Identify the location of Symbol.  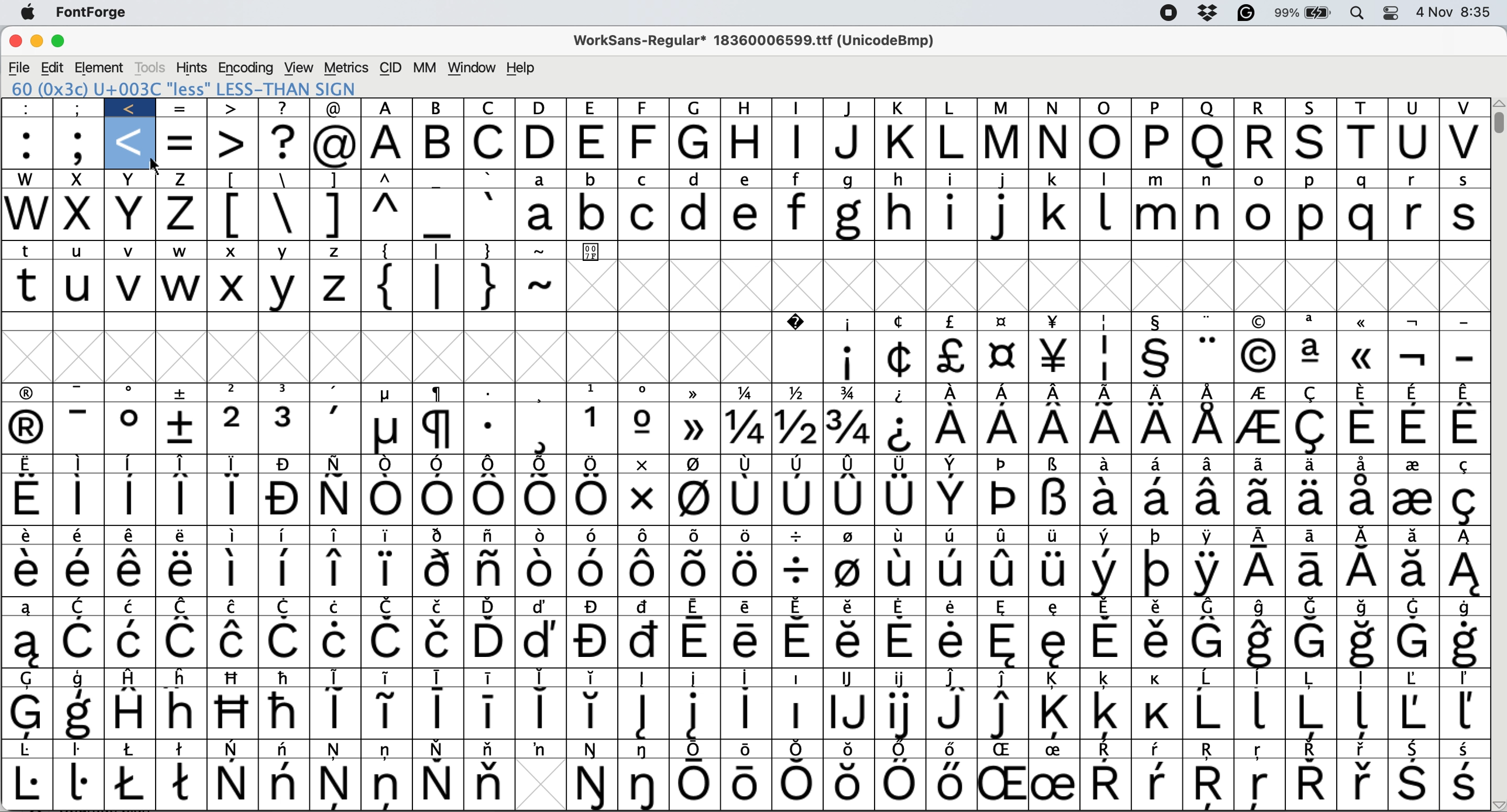
(1261, 500).